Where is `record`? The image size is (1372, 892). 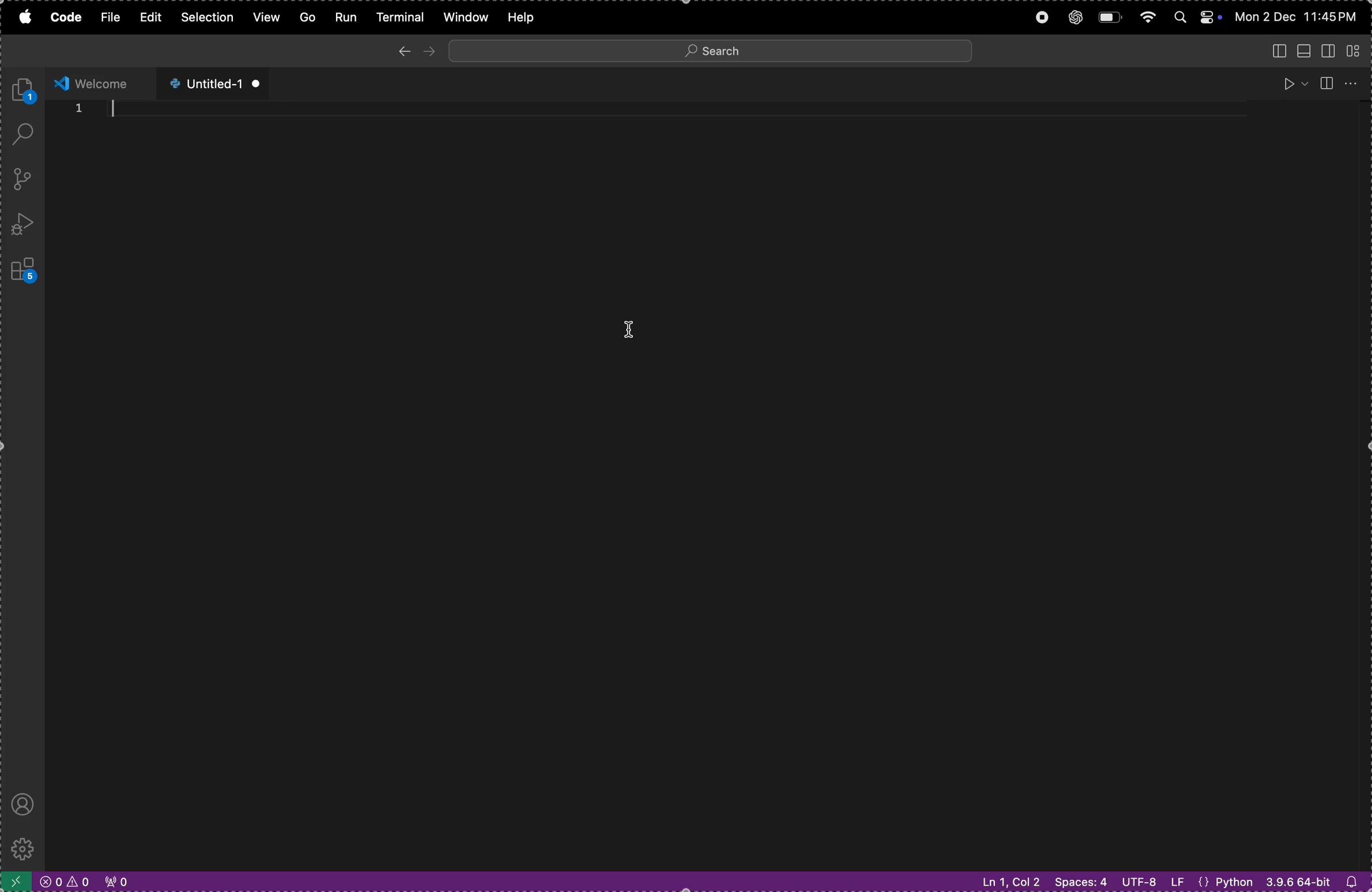 record is located at coordinates (1039, 17).